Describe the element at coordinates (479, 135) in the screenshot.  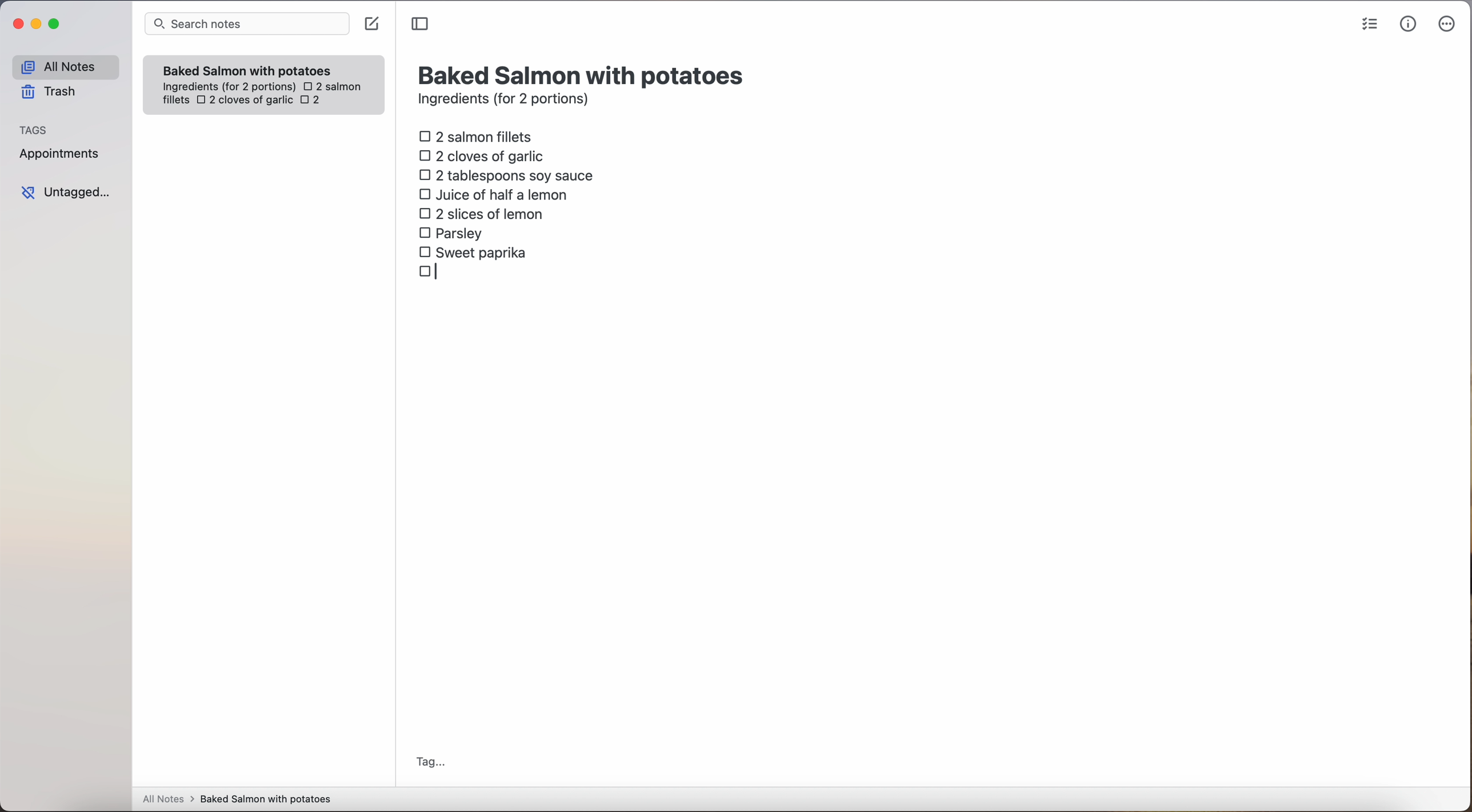
I see `2 salmon fillets` at that location.